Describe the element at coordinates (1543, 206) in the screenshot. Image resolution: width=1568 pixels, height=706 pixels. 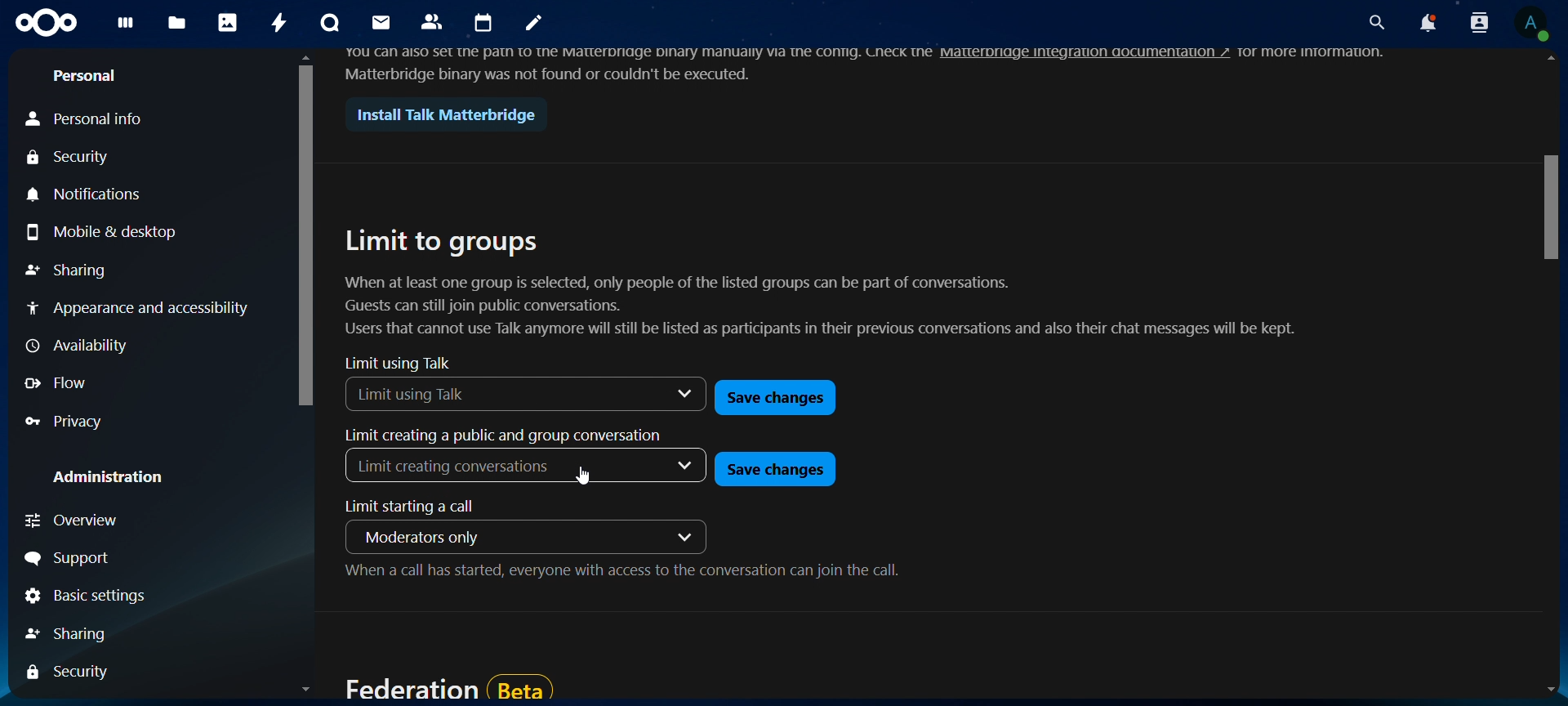
I see `vertical scroll bar` at that location.